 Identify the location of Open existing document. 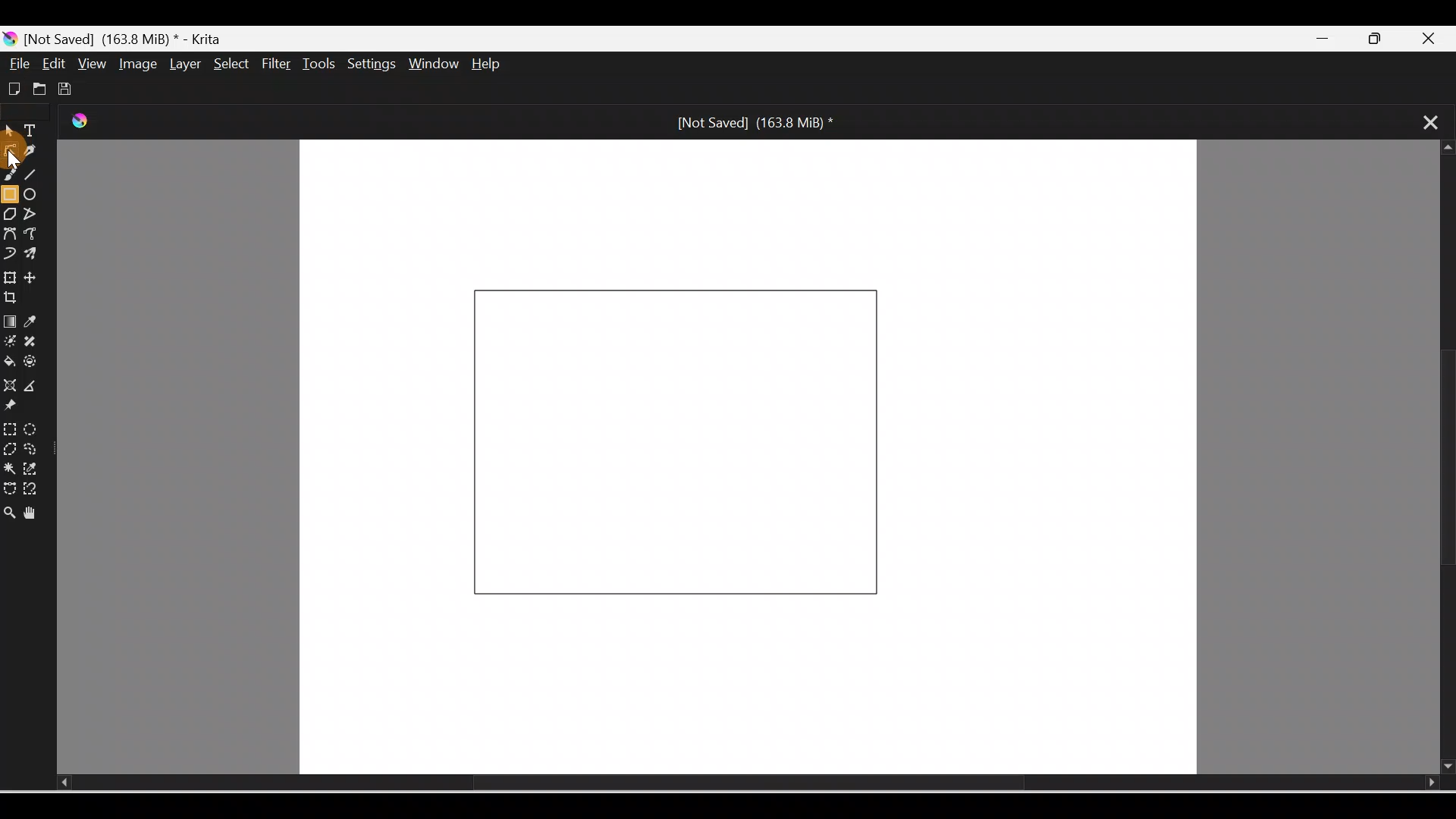
(37, 89).